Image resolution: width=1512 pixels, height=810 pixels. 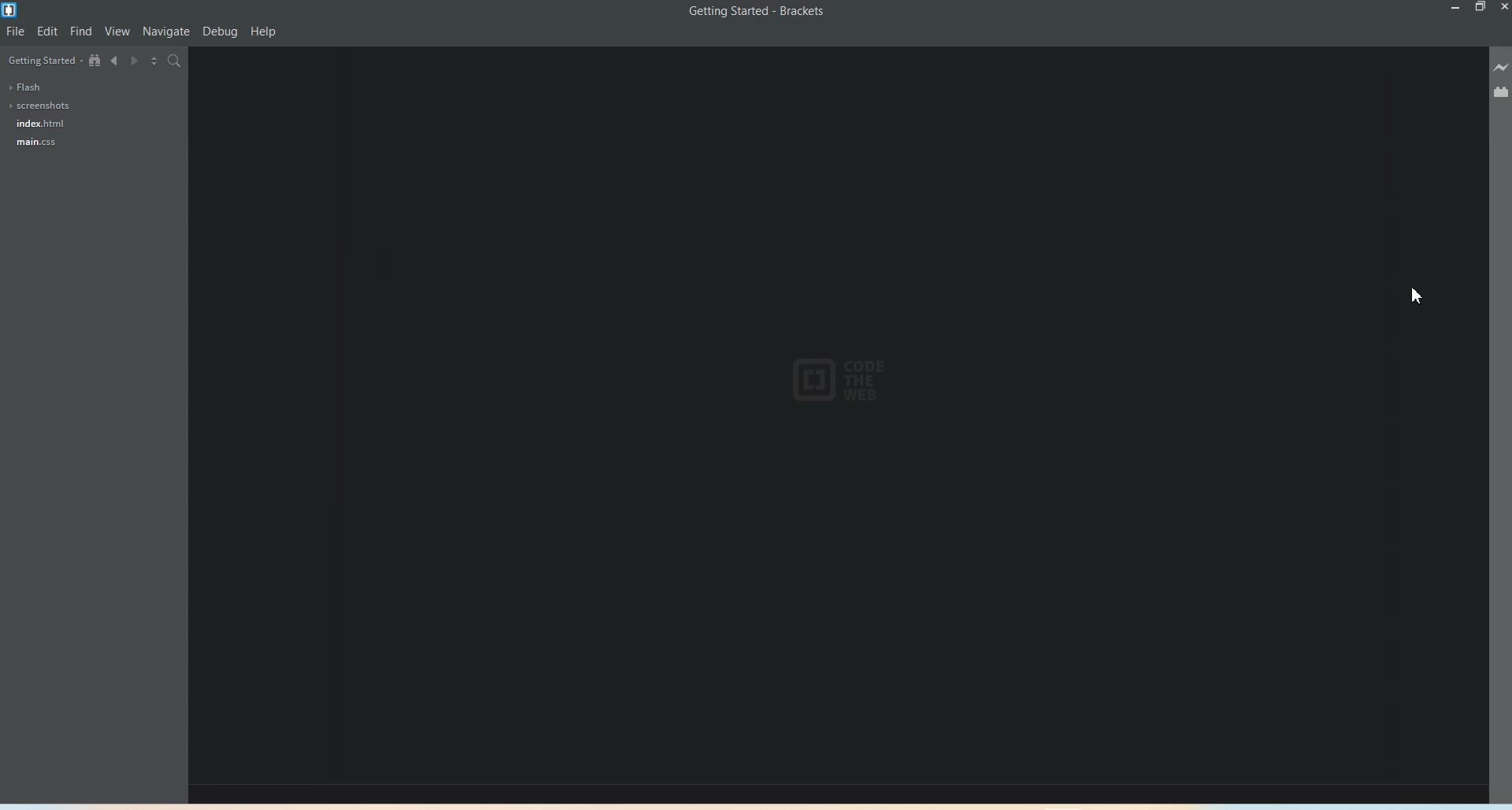 What do you see at coordinates (16, 32) in the screenshot?
I see `File` at bounding box center [16, 32].